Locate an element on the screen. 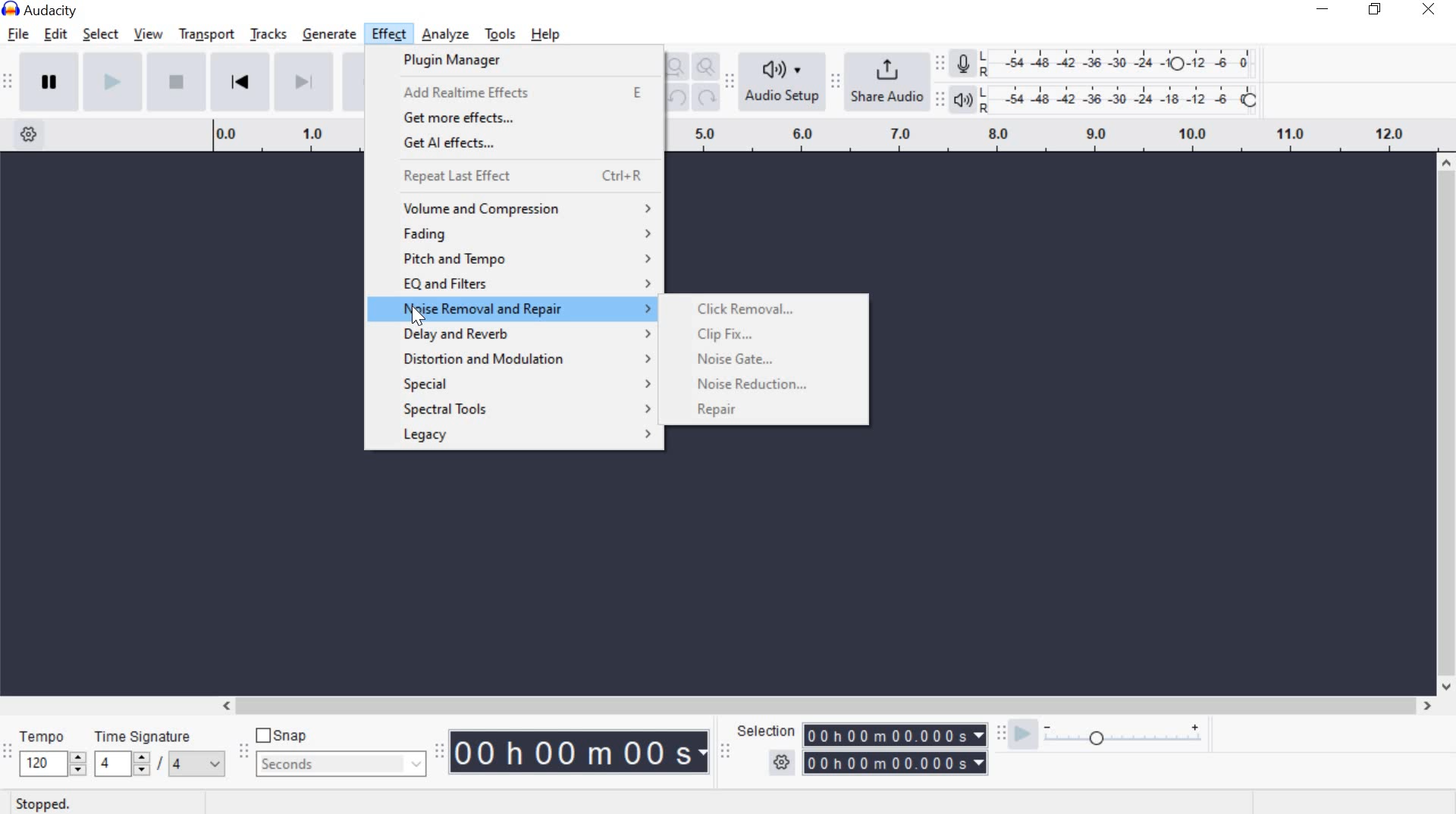 The image size is (1456, 814). add Realtime effects is located at coordinates (524, 92).